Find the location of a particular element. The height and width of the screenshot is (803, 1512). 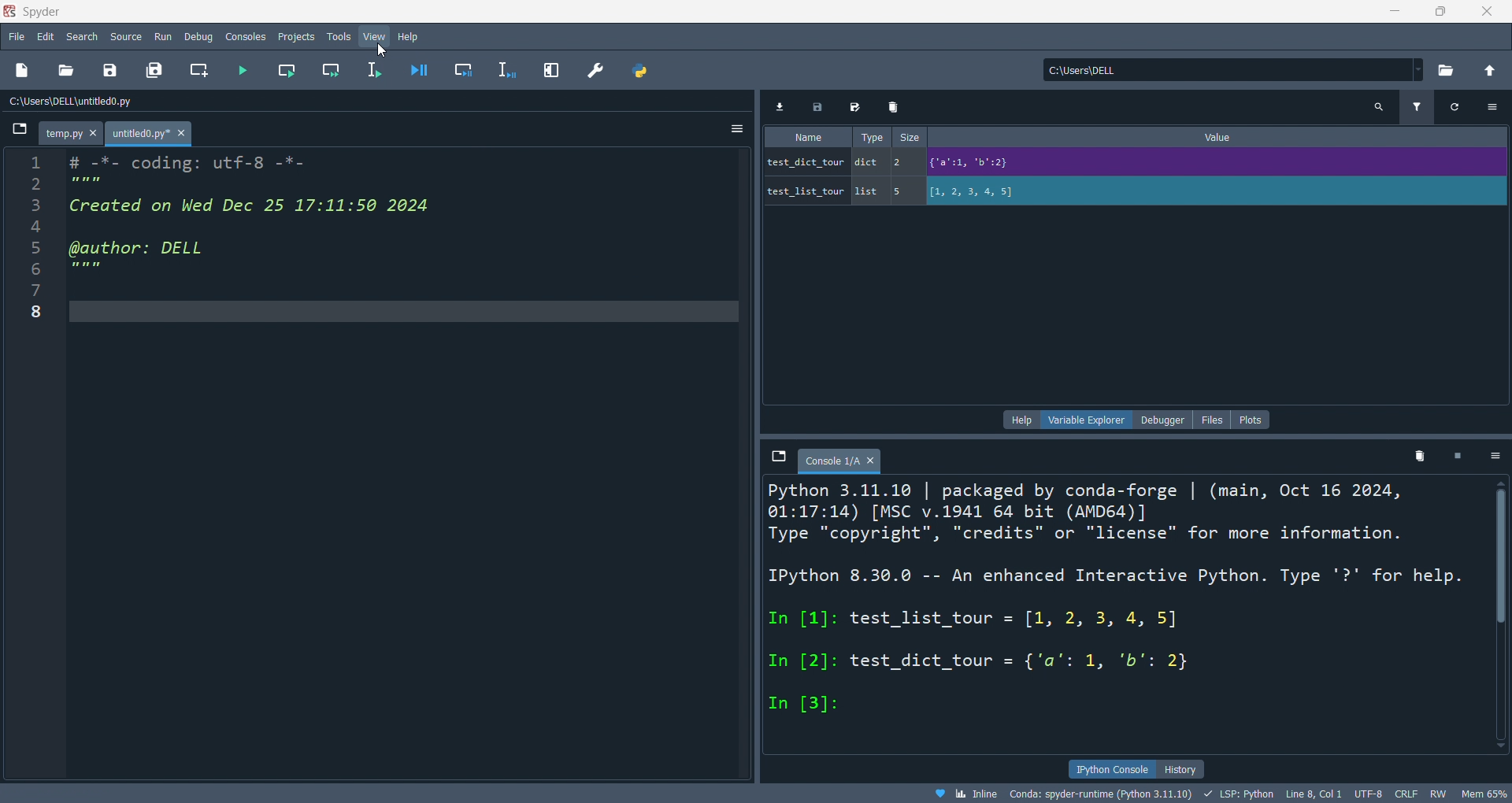

history is located at coordinates (1184, 768).